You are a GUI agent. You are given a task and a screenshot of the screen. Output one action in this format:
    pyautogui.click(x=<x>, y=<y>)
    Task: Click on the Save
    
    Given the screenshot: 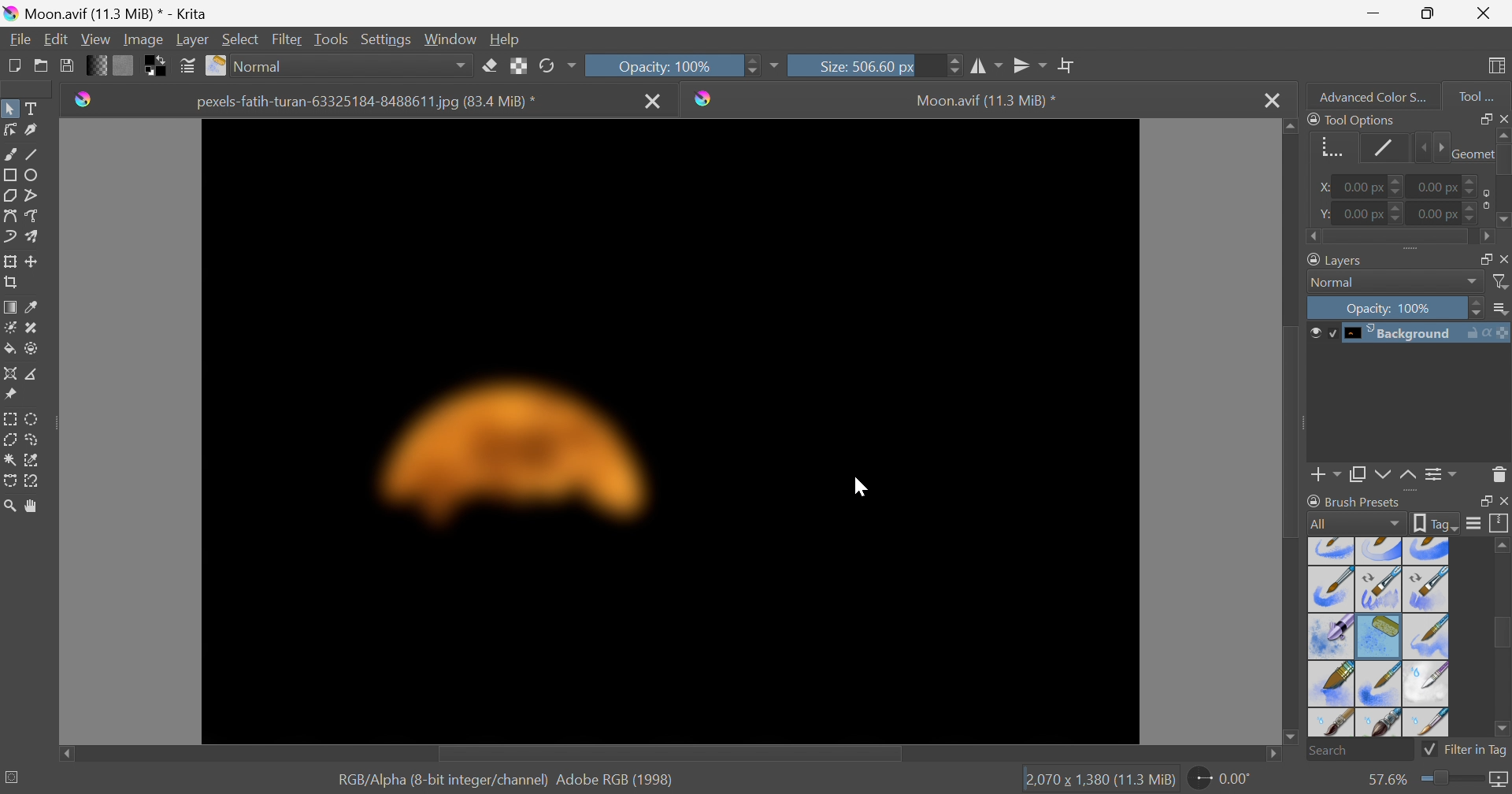 What is the action you would take?
    pyautogui.click(x=66, y=64)
    